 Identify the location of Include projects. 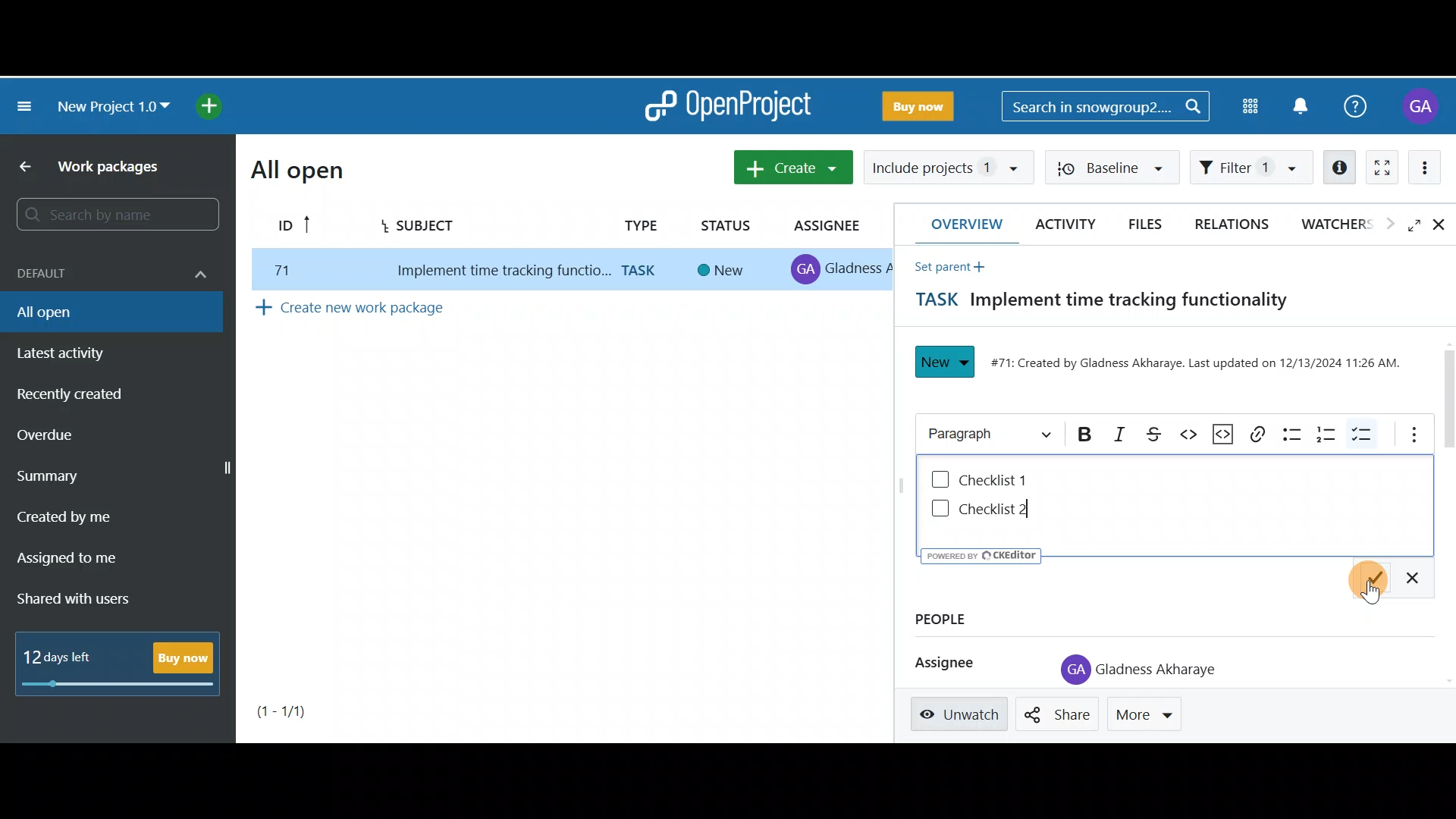
(946, 166).